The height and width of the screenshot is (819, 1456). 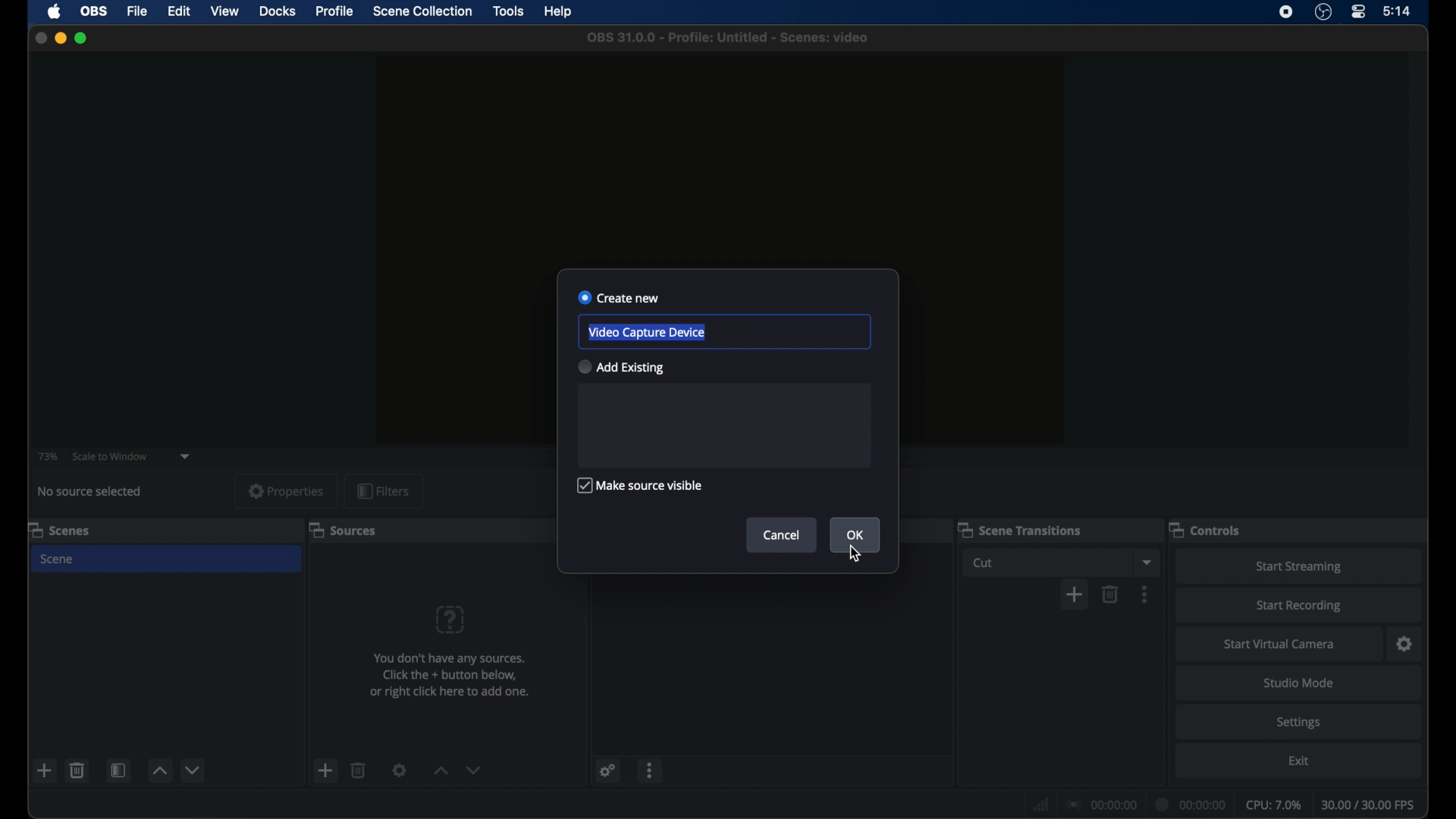 What do you see at coordinates (1101, 805) in the screenshot?
I see `connection` at bounding box center [1101, 805].